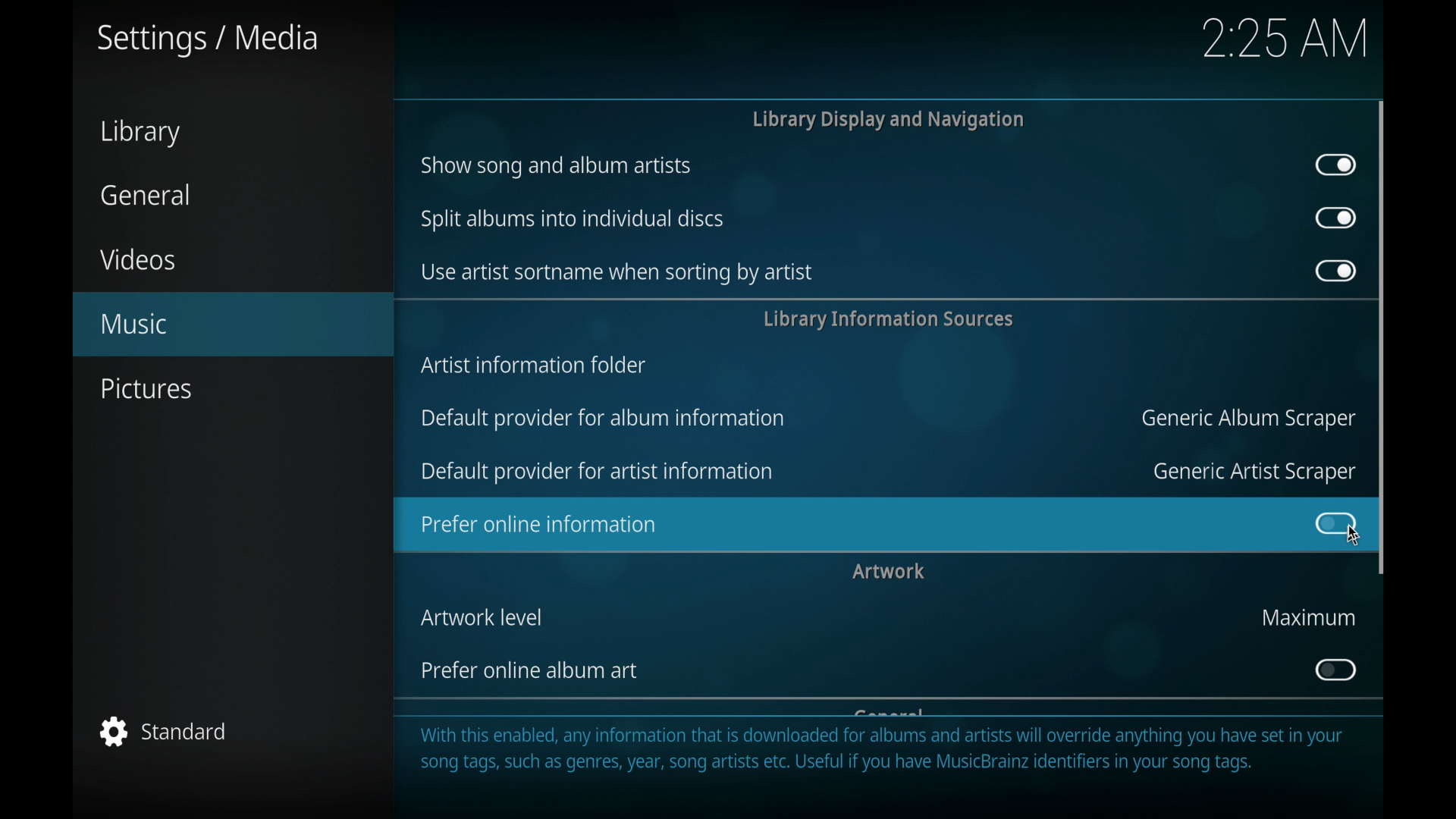  What do you see at coordinates (890, 572) in the screenshot?
I see `artwork` at bounding box center [890, 572].